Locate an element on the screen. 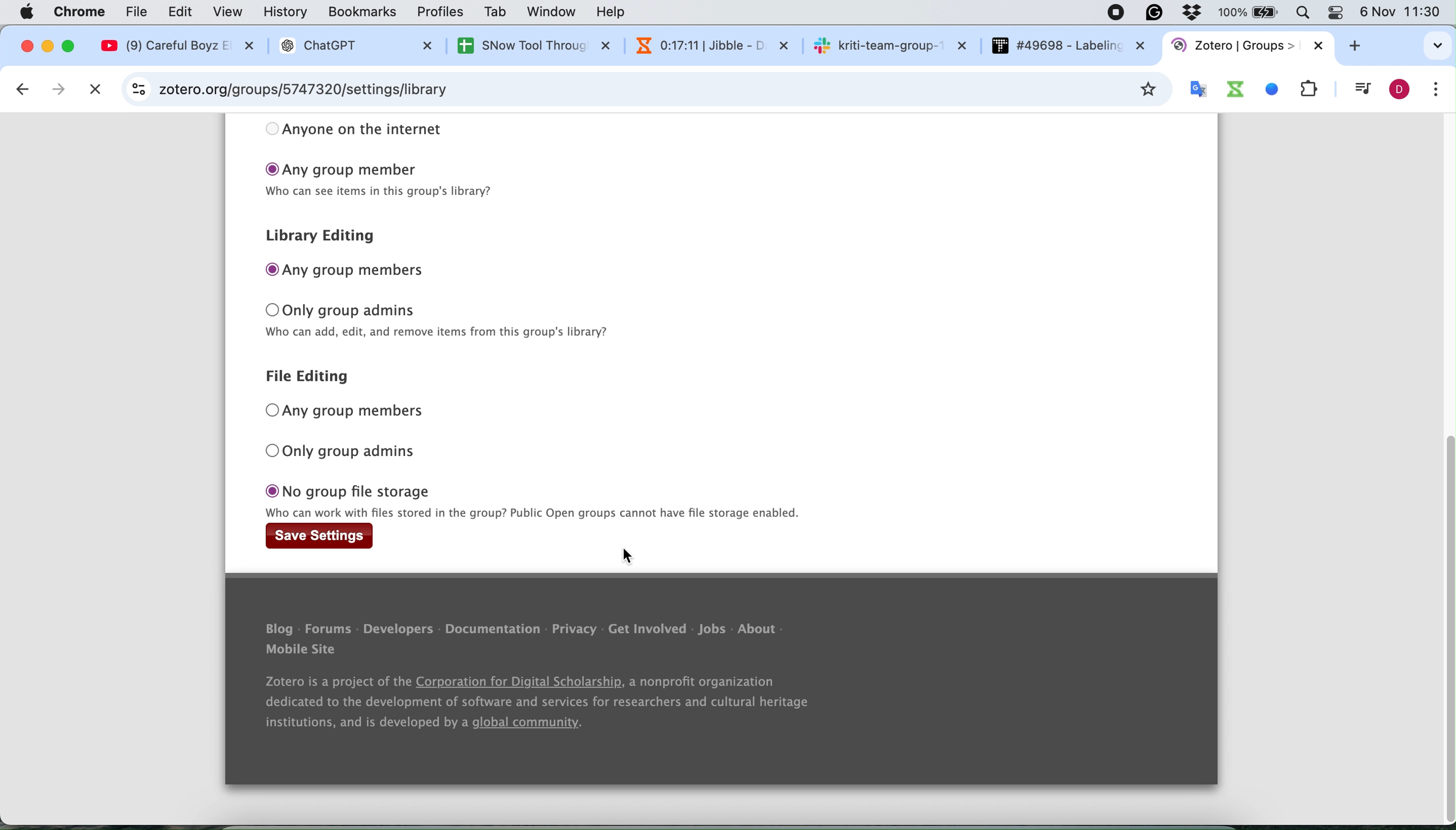 The image size is (1456, 830). zotero.org/groups/5747320/hihello is located at coordinates (320, 90).